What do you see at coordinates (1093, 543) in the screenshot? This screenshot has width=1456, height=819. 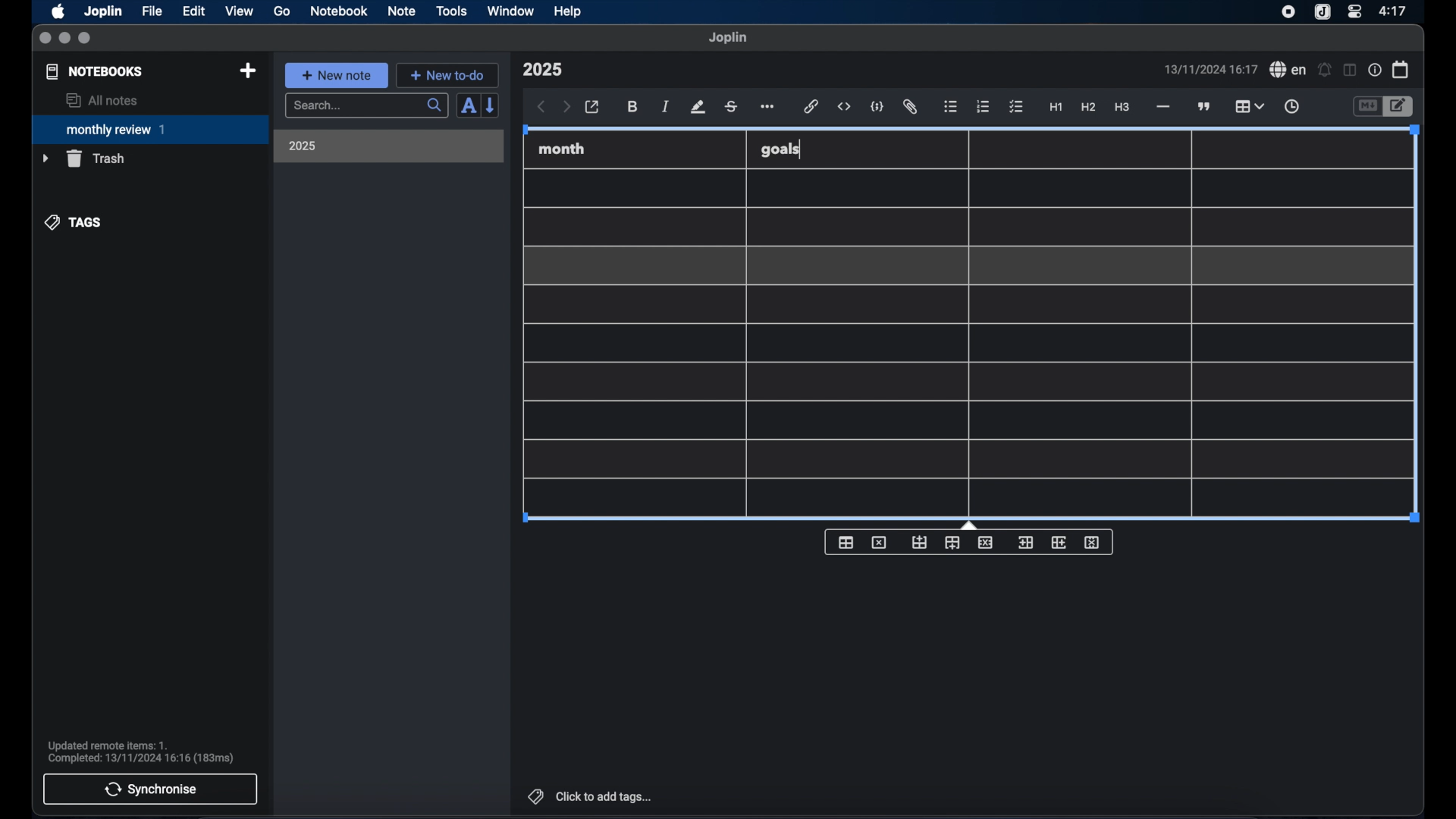 I see `delete column` at bounding box center [1093, 543].